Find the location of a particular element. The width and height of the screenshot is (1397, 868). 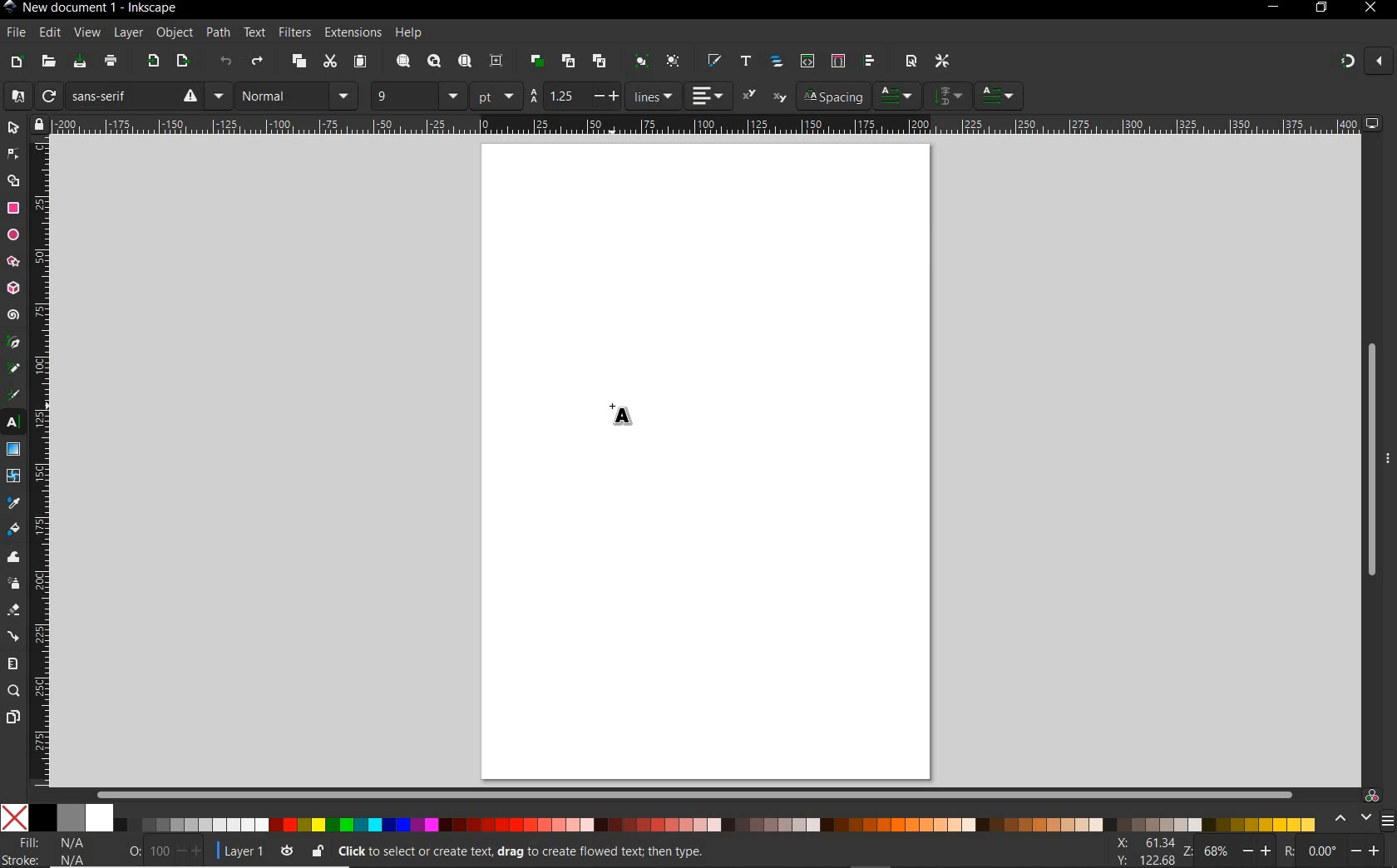

canvas is located at coordinates (707, 458).